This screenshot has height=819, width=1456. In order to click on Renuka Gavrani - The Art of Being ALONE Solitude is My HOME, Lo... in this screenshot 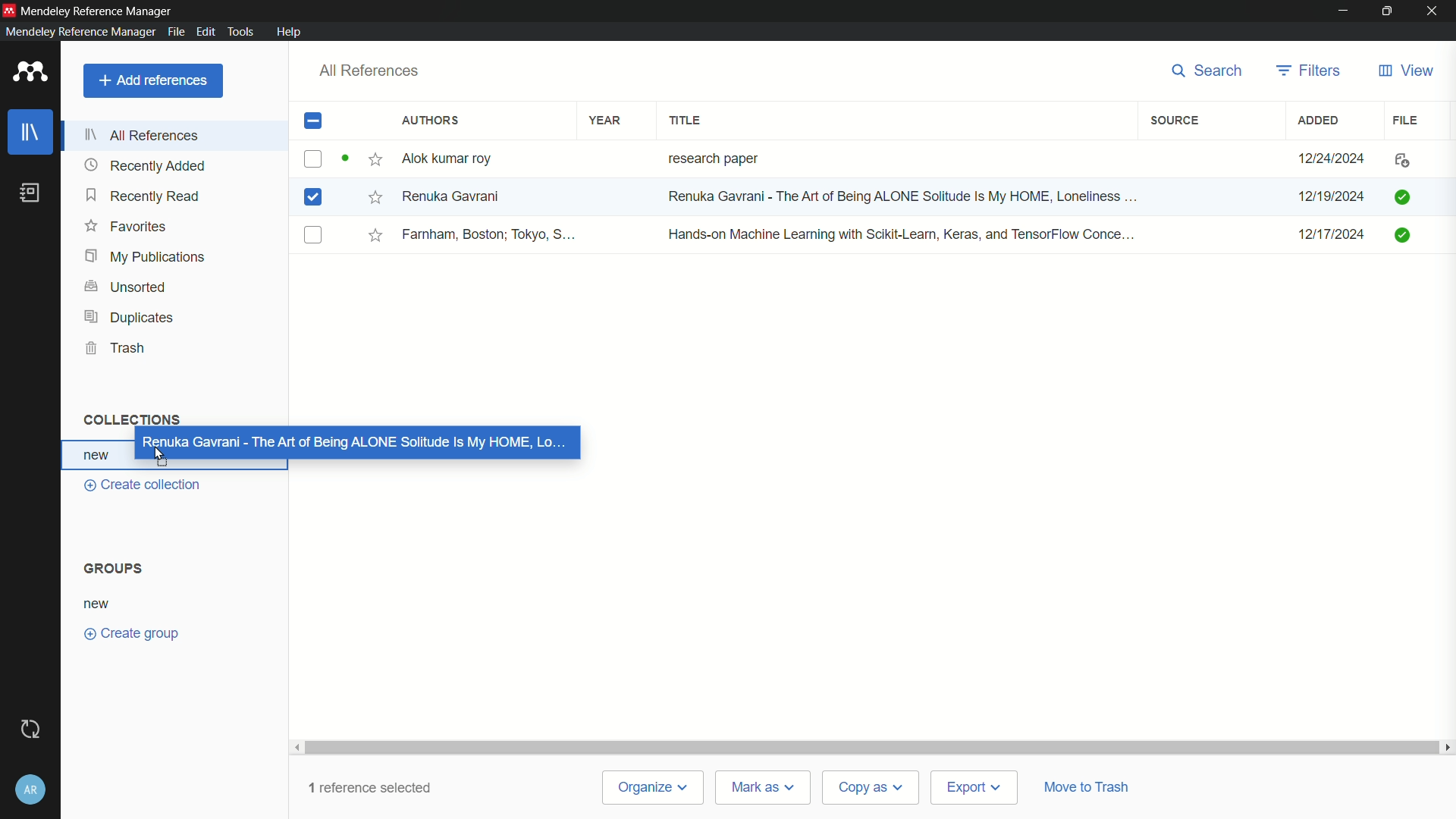, I will do `click(356, 442)`.